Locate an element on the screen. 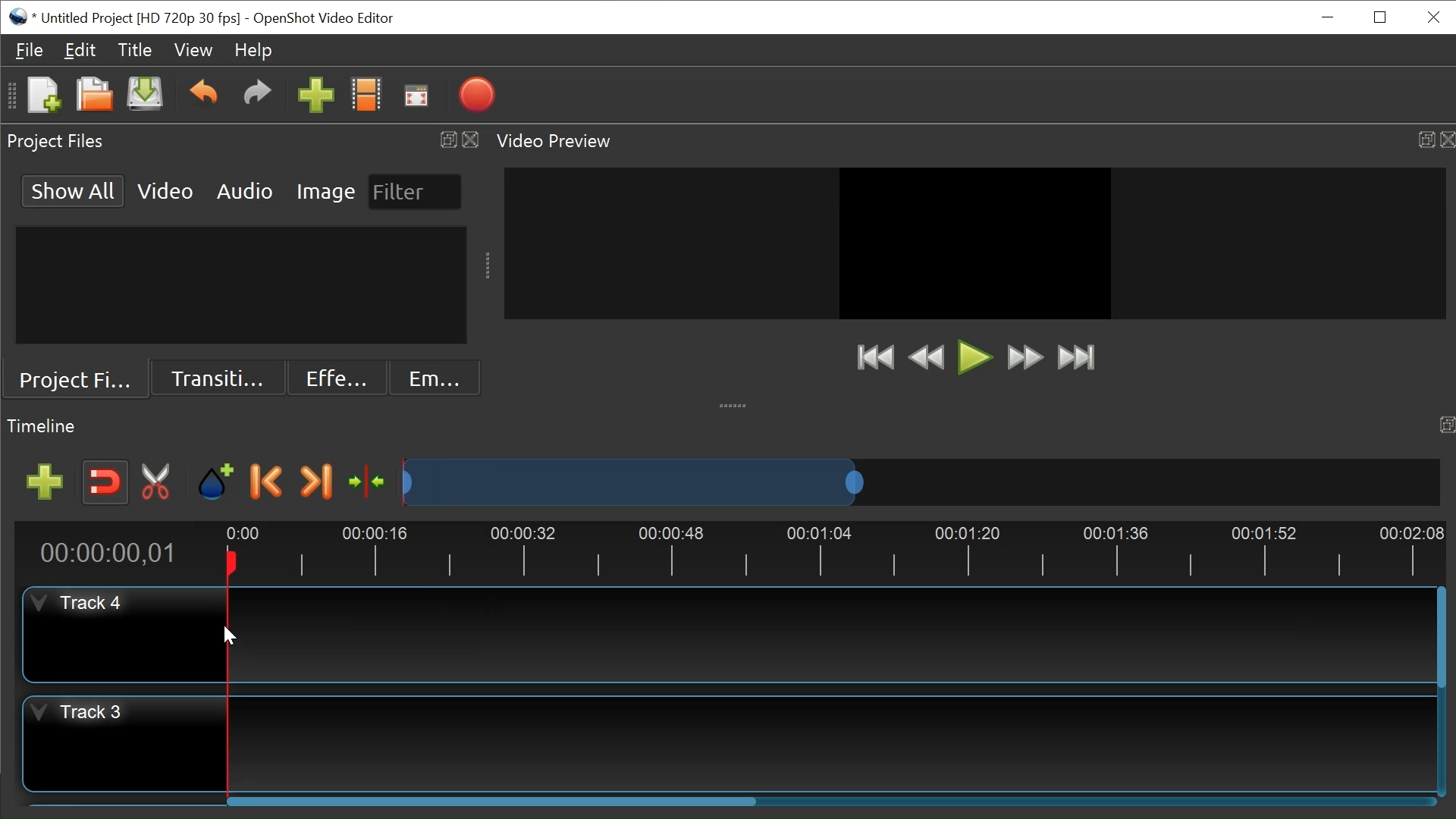 Image resolution: width=1456 pixels, height=819 pixels. Track Header is located at coordinates (125, 743).